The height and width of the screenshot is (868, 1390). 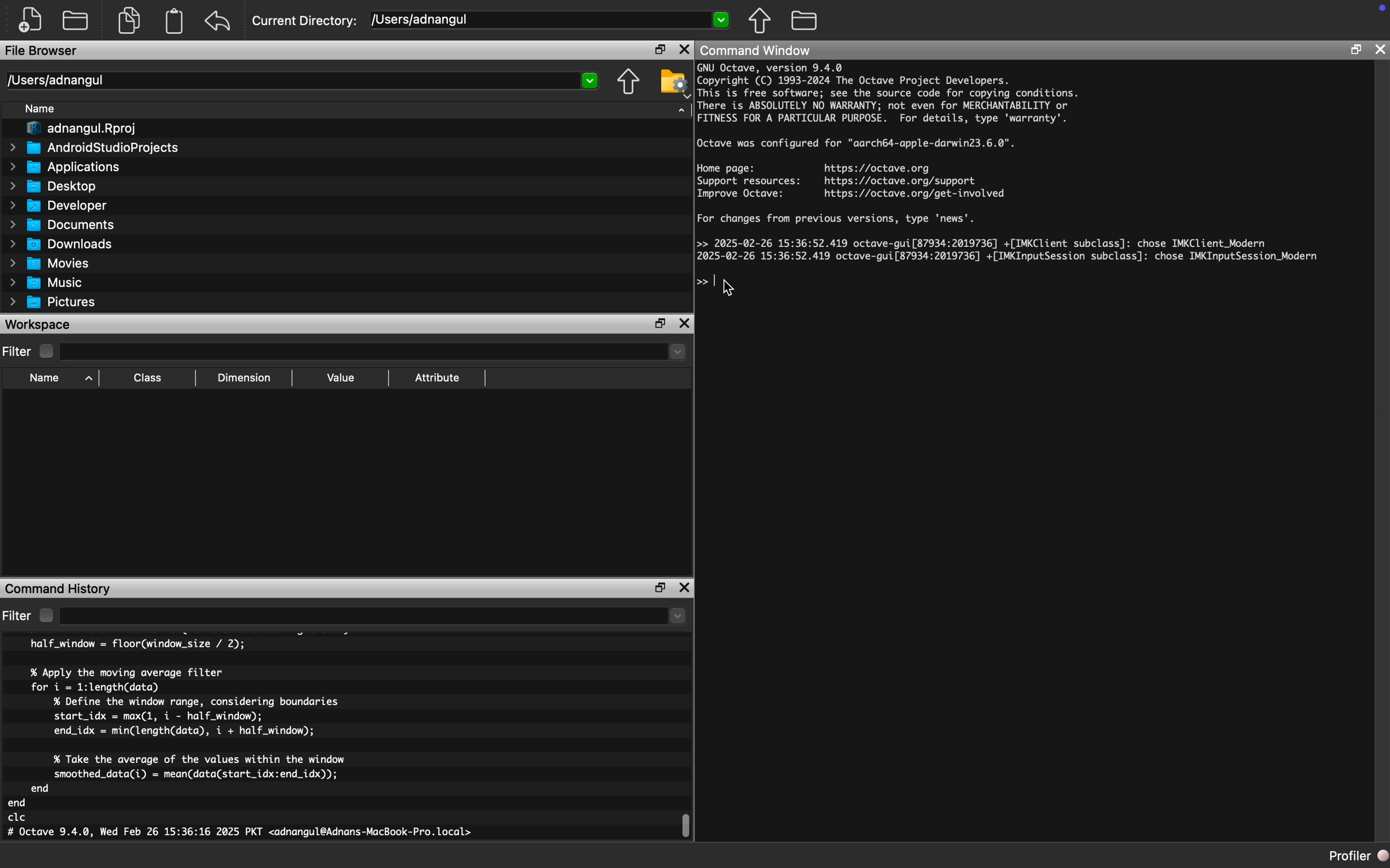 I want to click on Close, so click(x=1379, y=51).